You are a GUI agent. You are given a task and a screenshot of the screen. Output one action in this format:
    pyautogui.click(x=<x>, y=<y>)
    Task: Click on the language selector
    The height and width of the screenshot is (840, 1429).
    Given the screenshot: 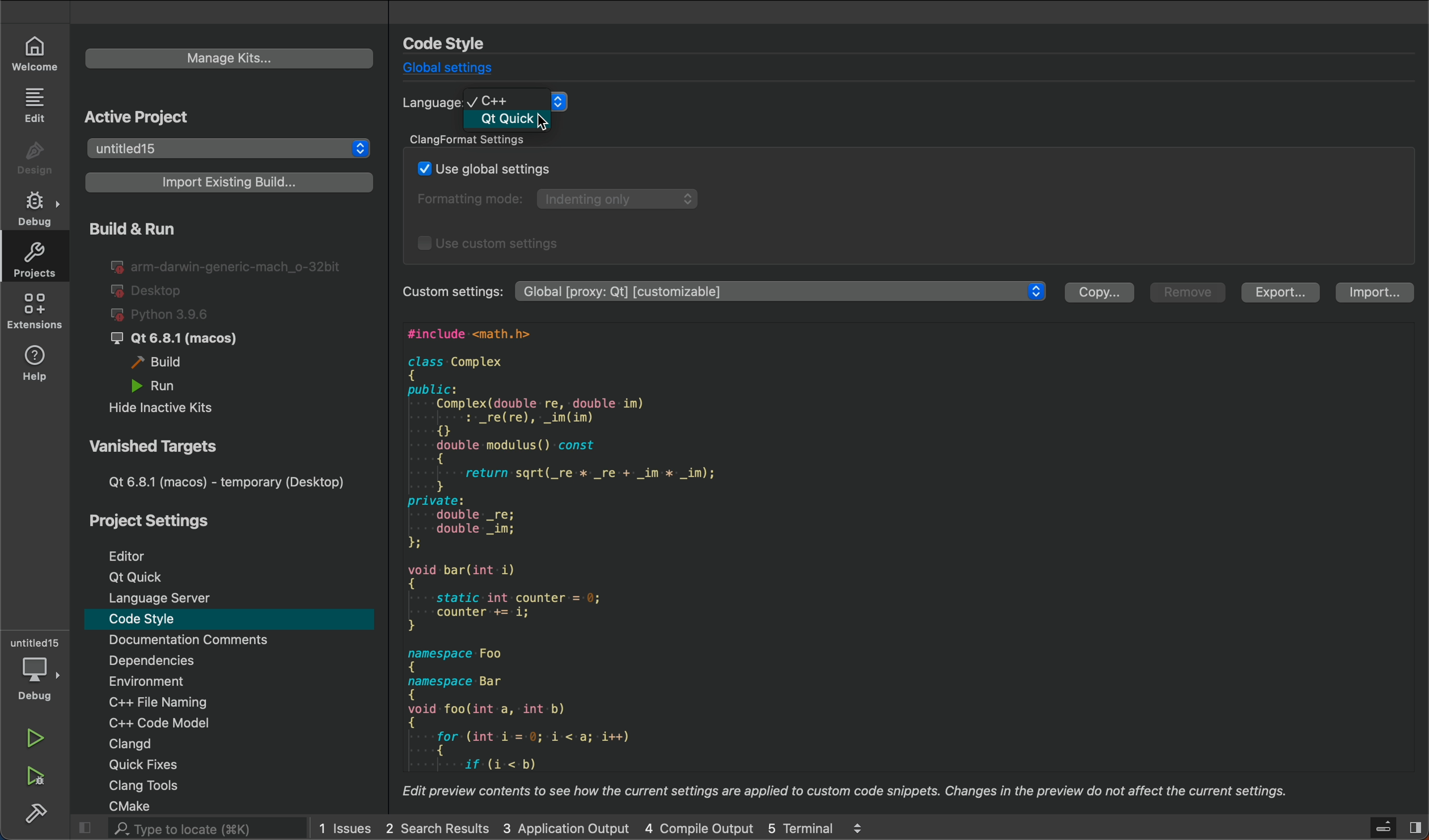 What is the action you would take?
    pyautogui.click(x=531, y=101)
    